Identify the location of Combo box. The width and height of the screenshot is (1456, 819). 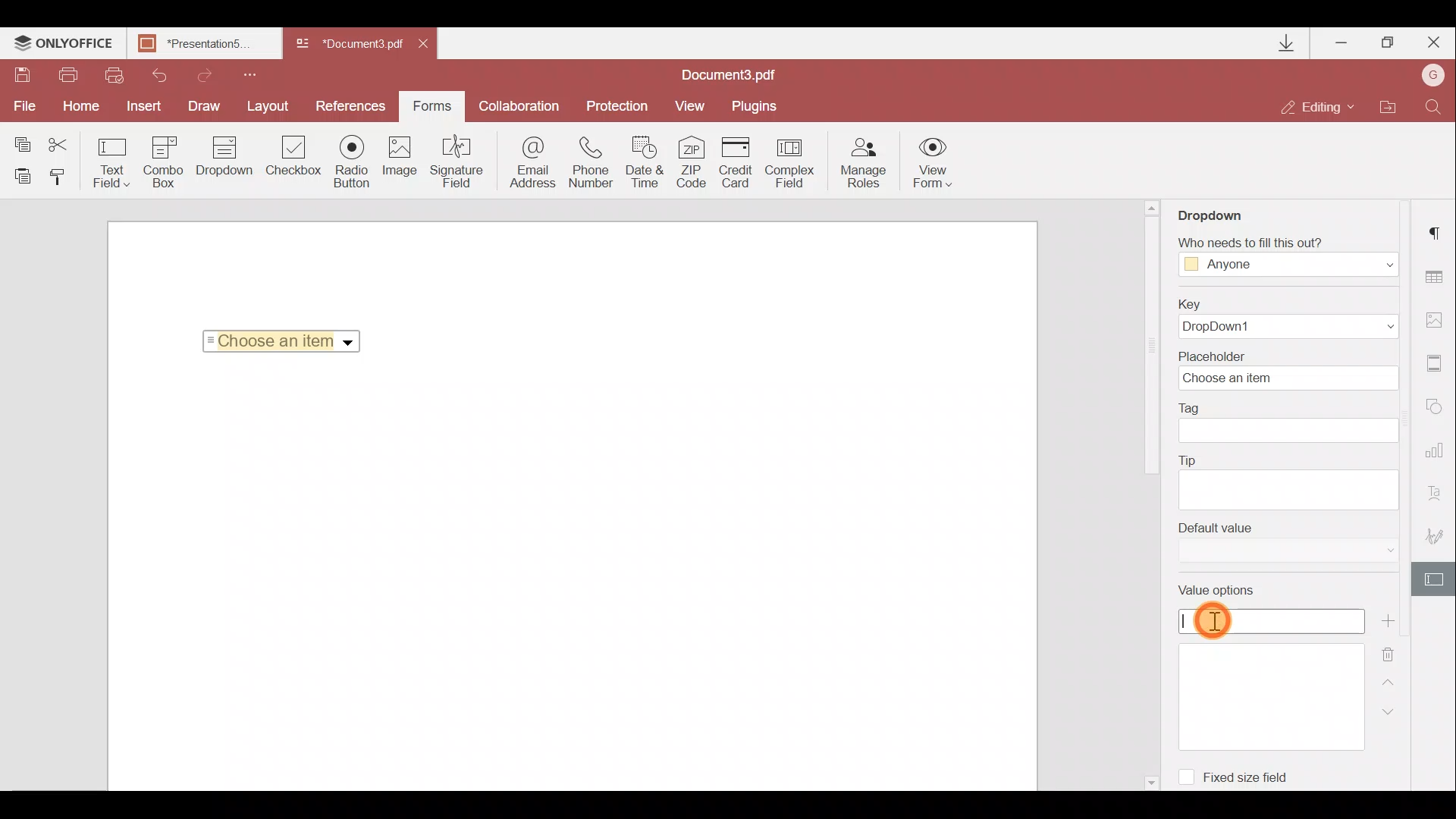
(164, 159).